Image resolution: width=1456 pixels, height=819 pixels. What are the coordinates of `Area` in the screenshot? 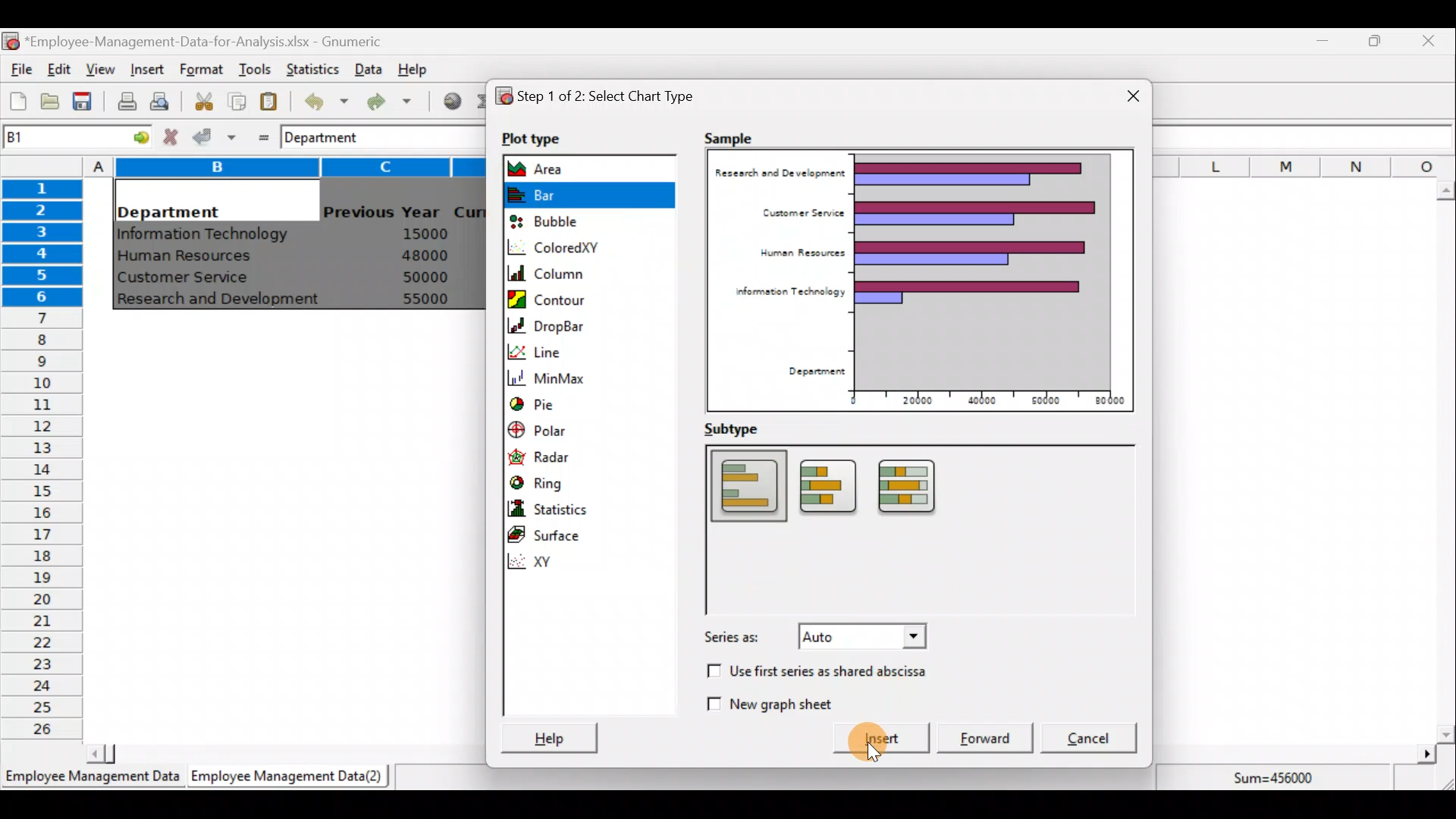 It's located at (559, 168).